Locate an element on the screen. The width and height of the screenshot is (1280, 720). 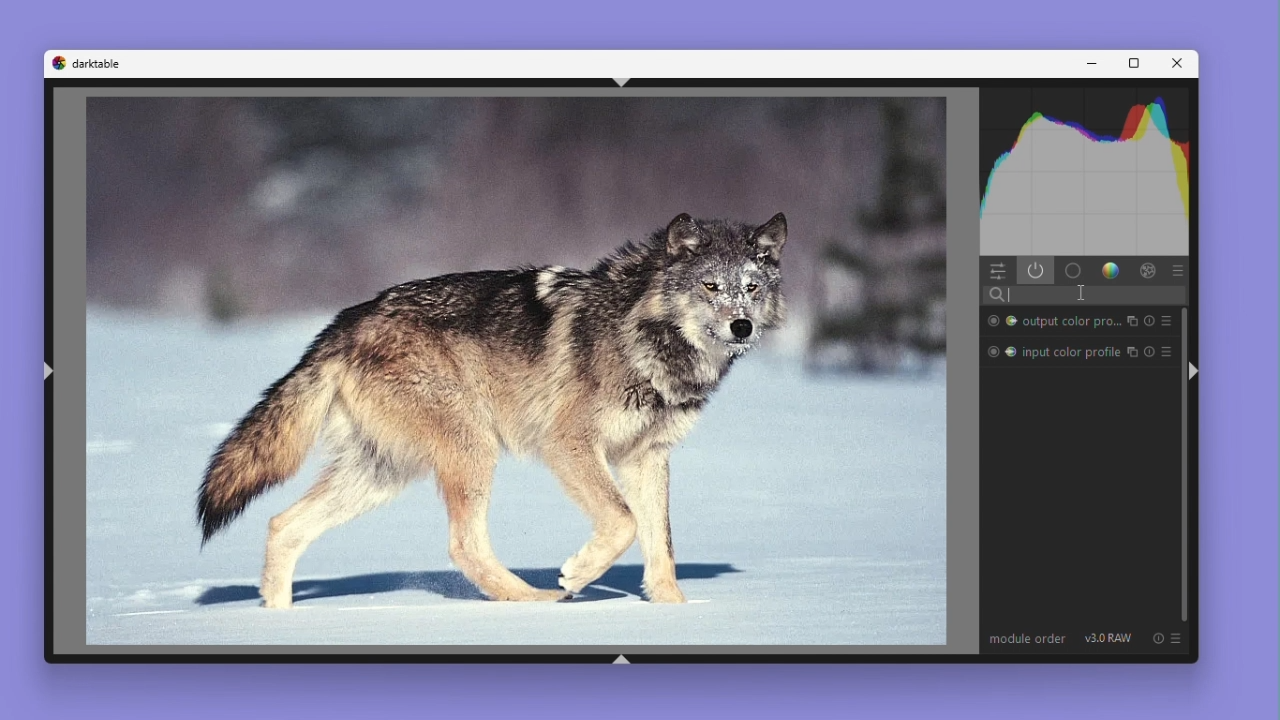
Color Range Mask is located at coordinates (1011, 352).